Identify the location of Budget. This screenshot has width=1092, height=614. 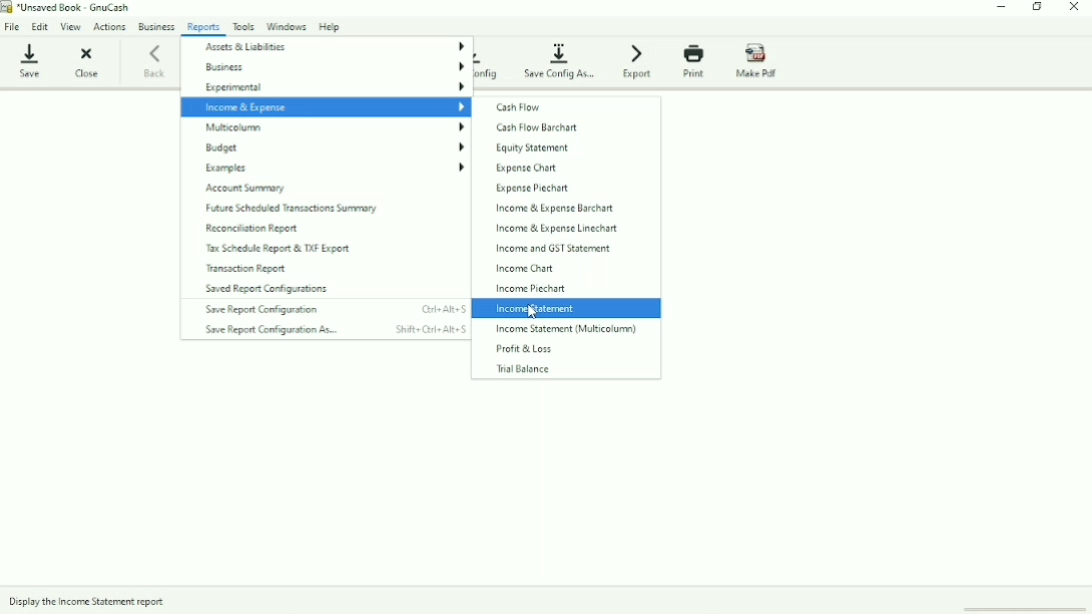
(335, 147).